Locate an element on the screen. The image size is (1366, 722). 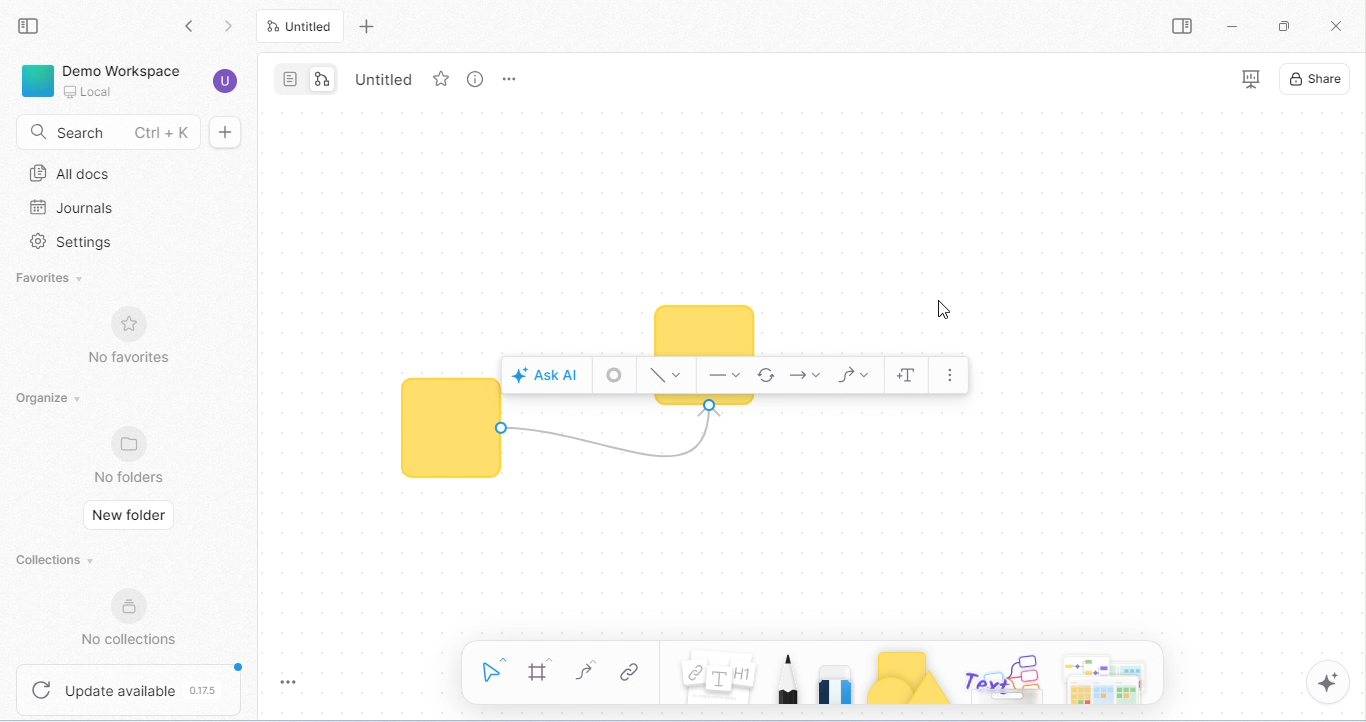
no favorites is located at coordinates (128, 338).